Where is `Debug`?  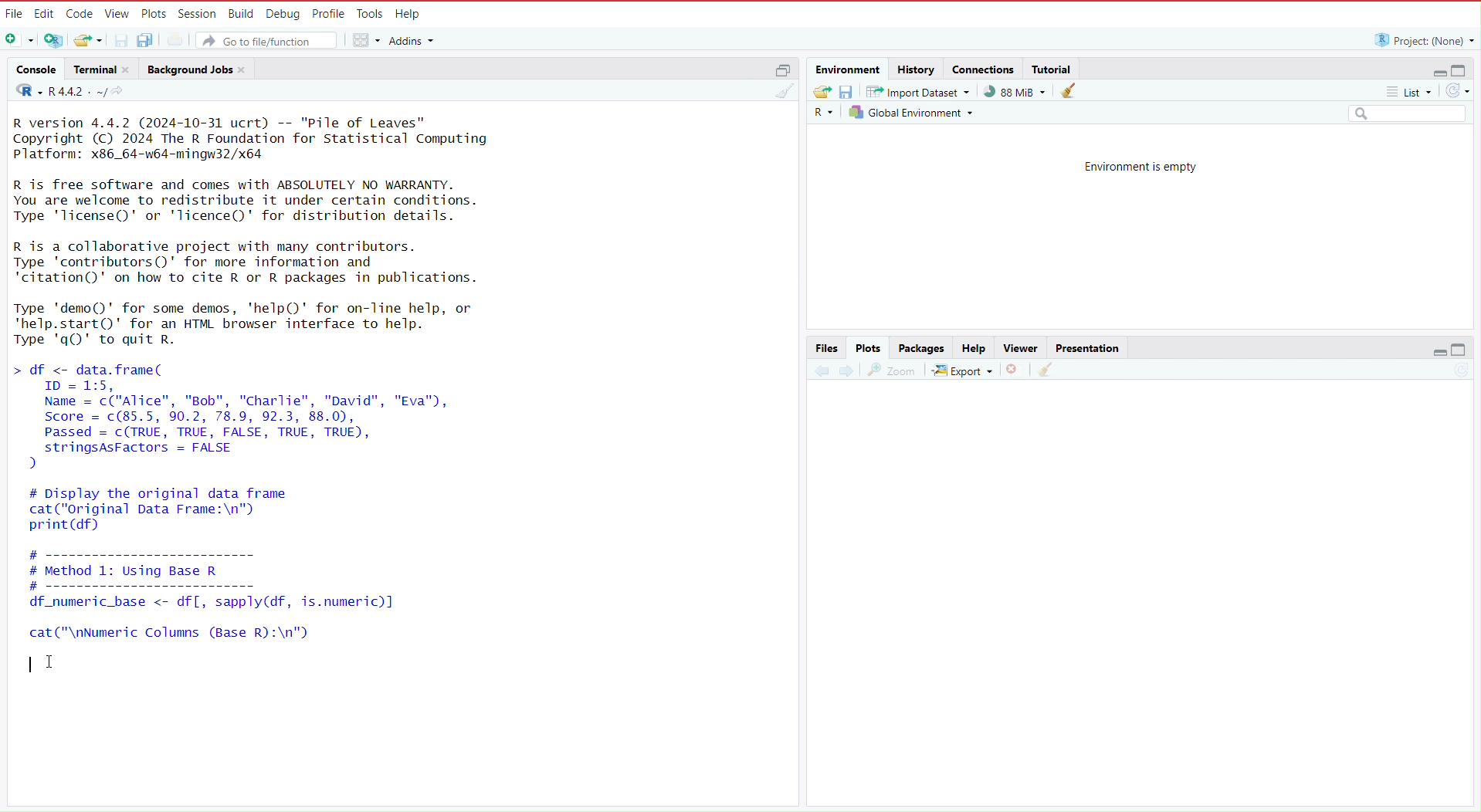 Debug is located at coordinates (283, 12).